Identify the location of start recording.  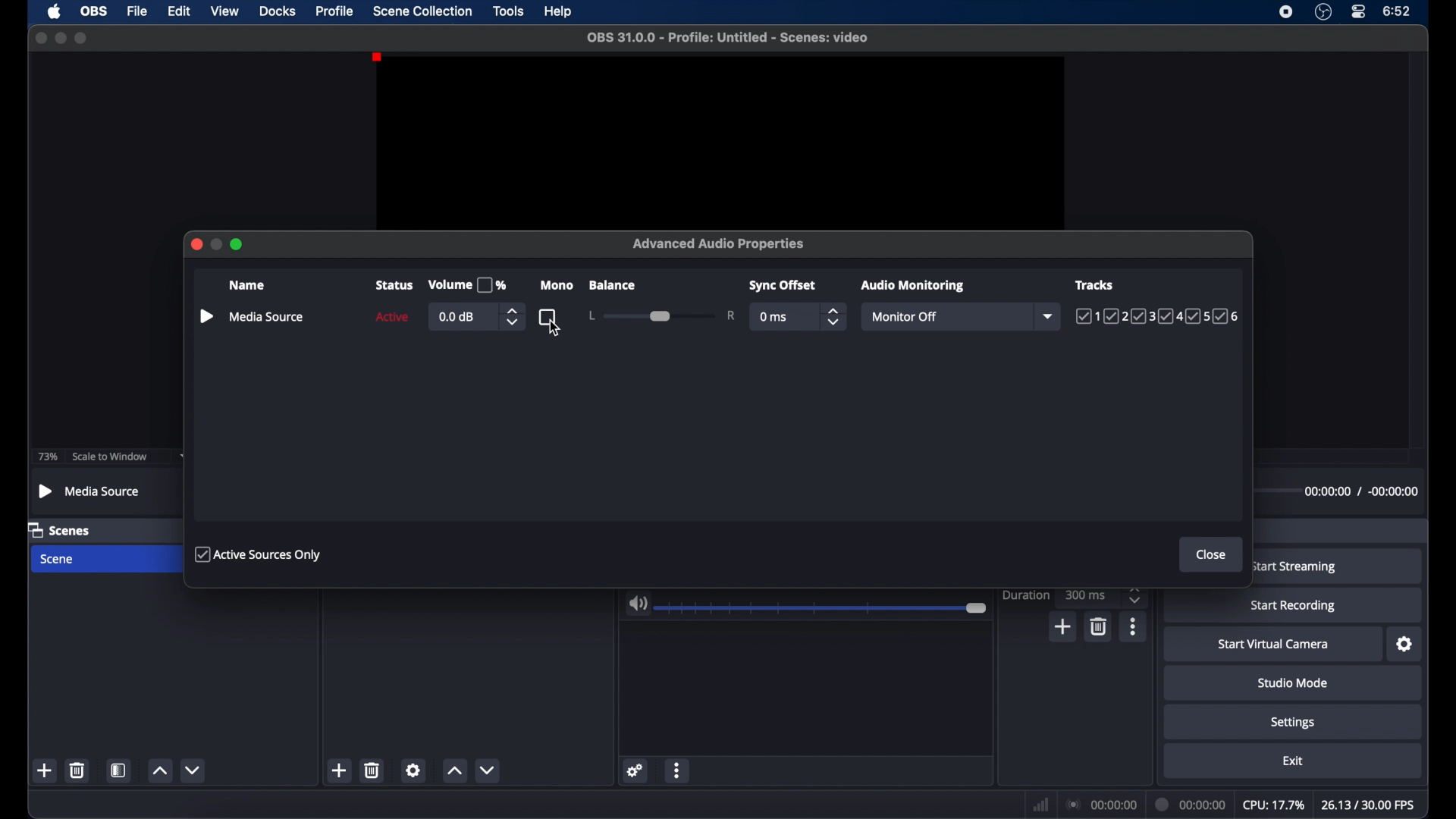
(1294, 606).